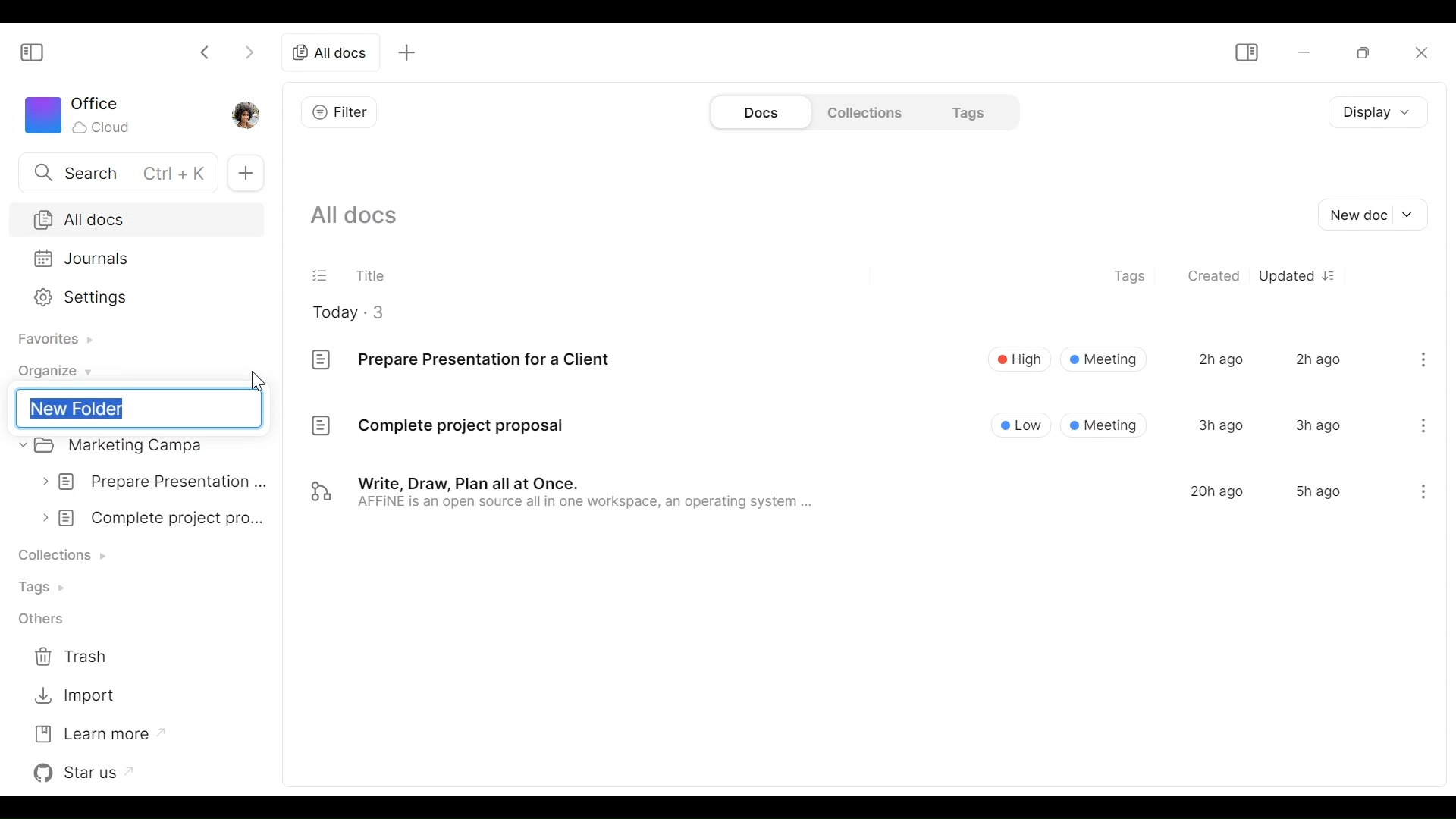 The width and height of the screenshot is (1456, 819). I want to click on Trash, so click(83, 654).